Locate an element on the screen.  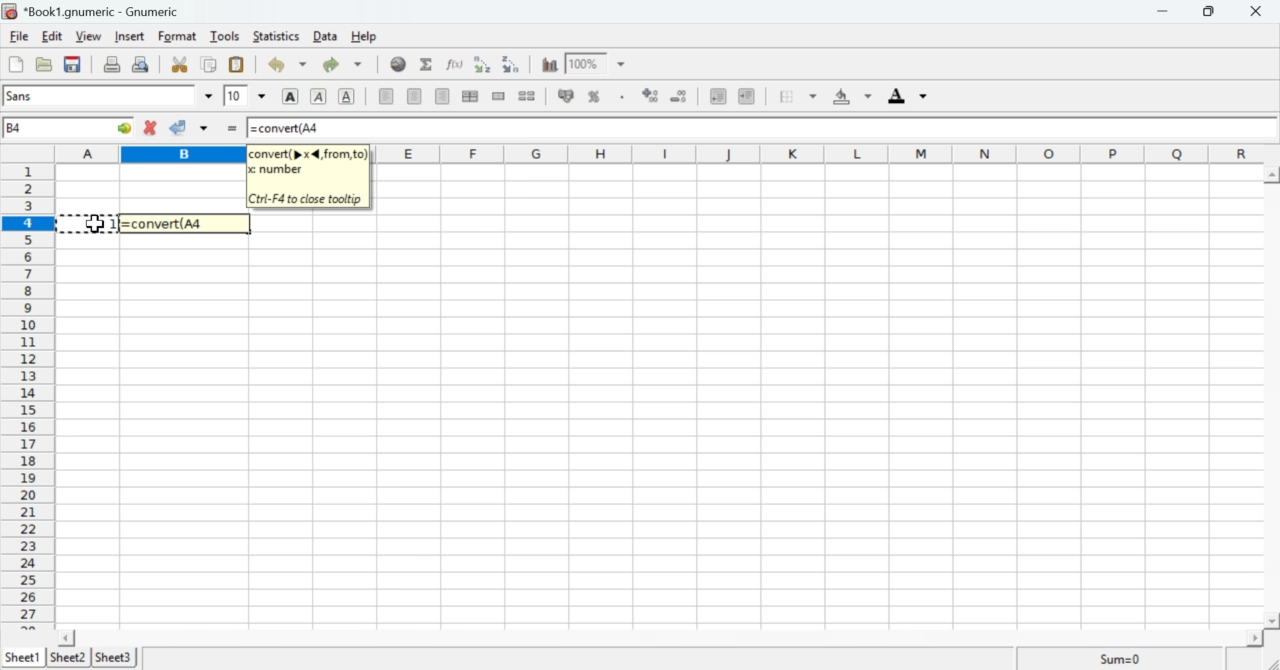
Alphabets row is located at coordinates (661, 152).